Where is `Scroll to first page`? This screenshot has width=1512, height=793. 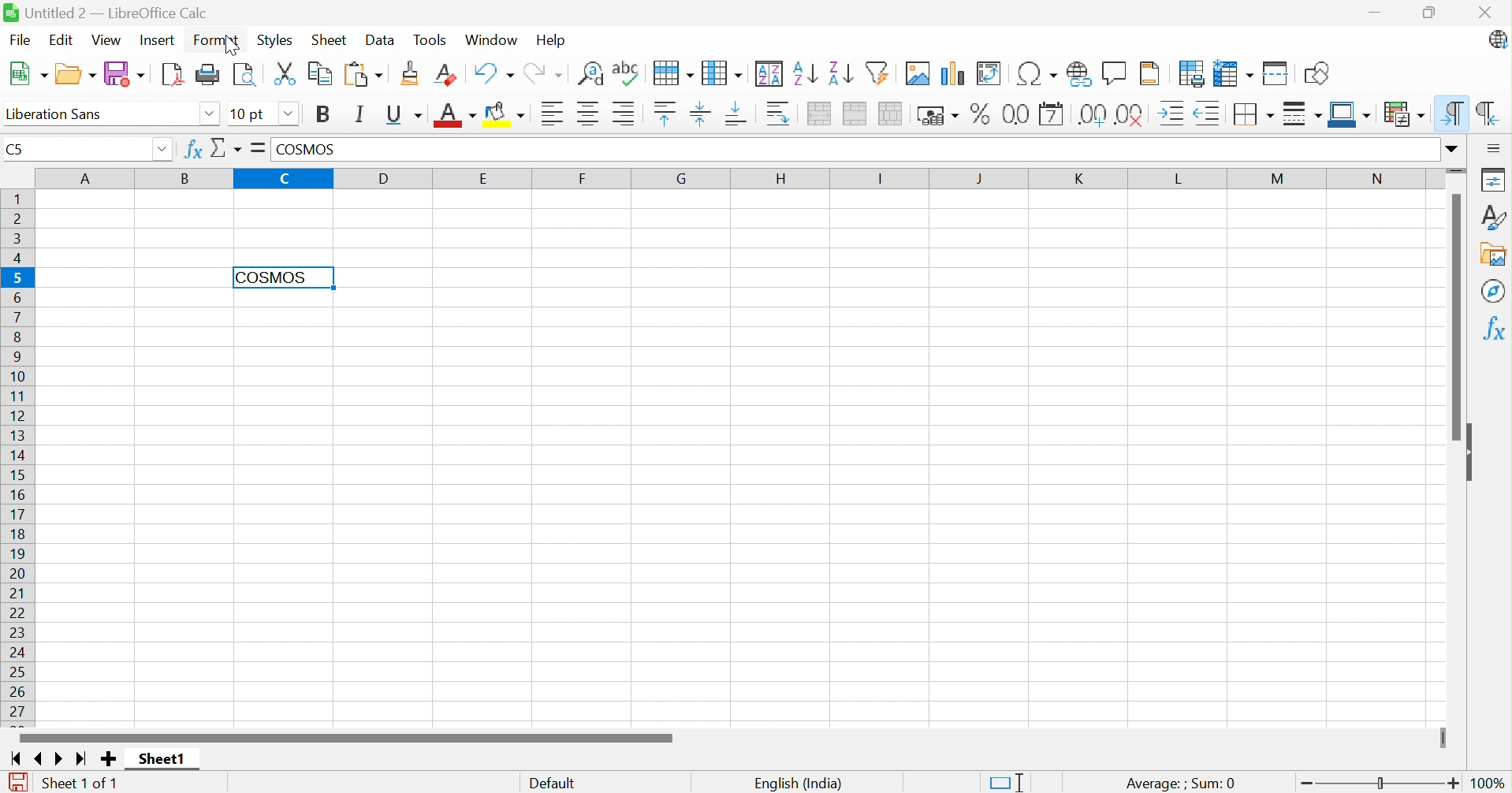
Scroll to first page is located at coordinates (17, 758).